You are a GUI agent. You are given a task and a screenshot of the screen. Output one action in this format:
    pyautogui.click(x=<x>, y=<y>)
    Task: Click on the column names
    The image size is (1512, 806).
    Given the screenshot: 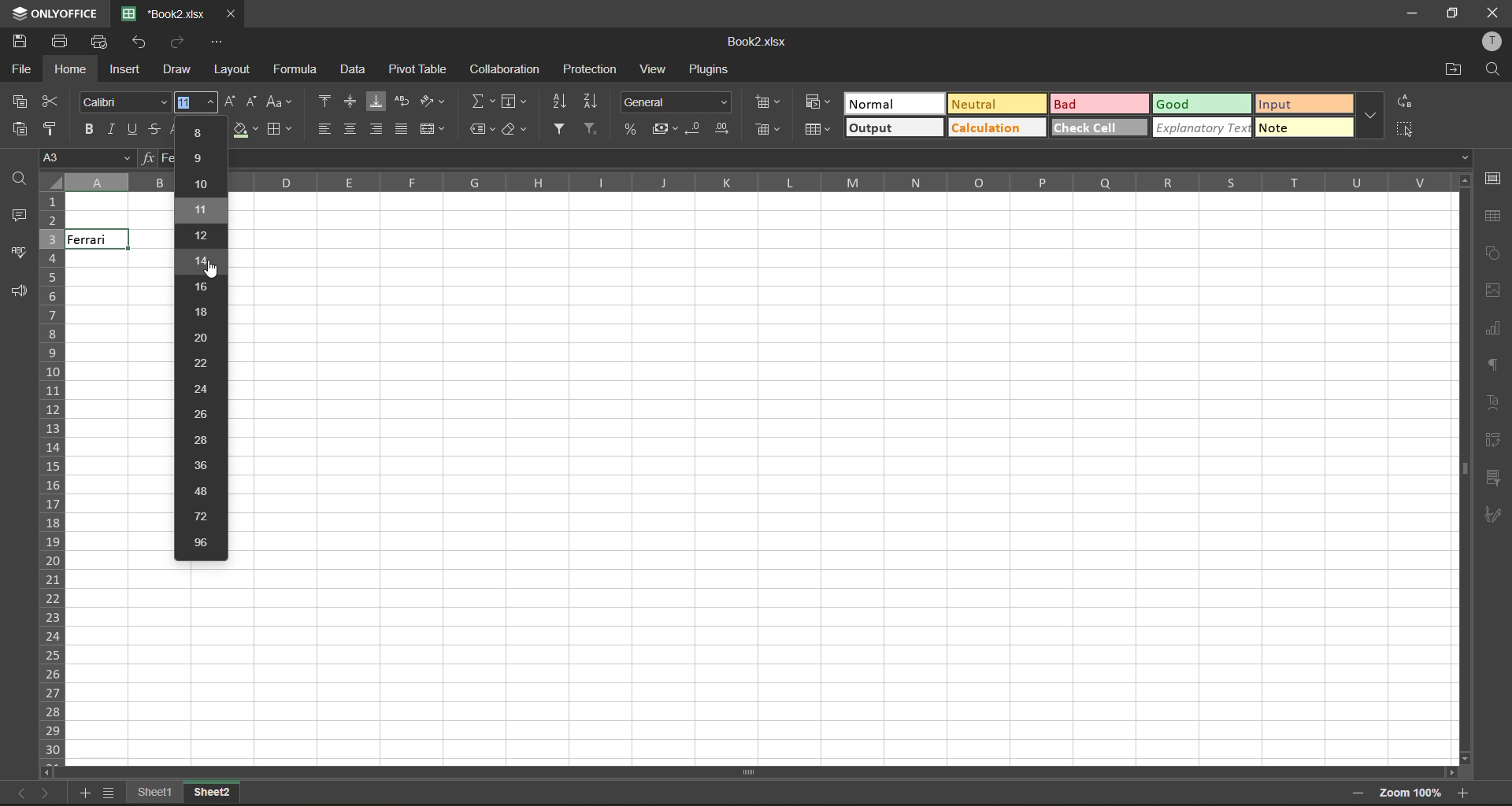 What is the action you would take?
    pyautogui.click(x=836, y=183)
    